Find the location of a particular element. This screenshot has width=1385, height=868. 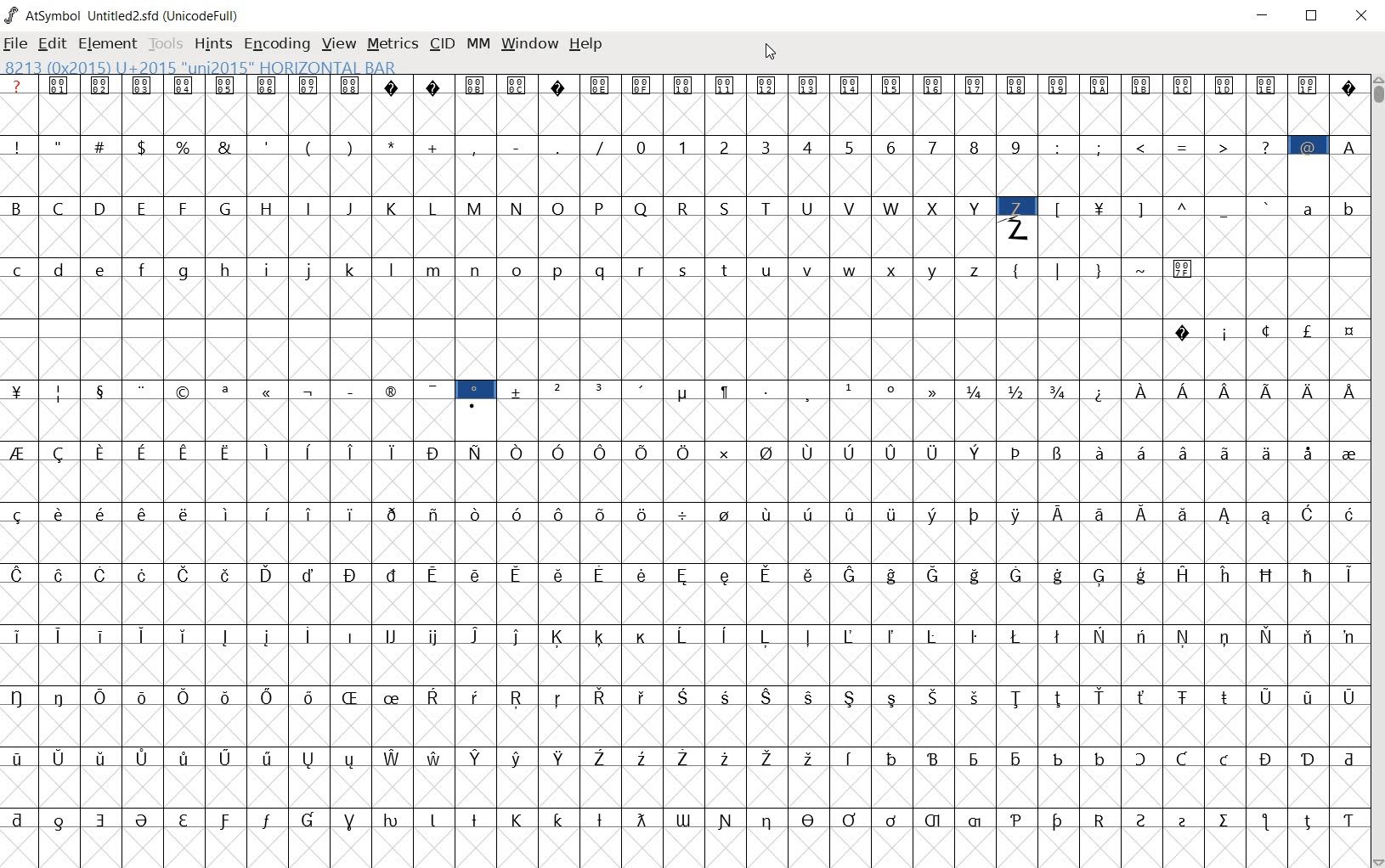

MINIMIZE is located at coordinates (1265, 16).